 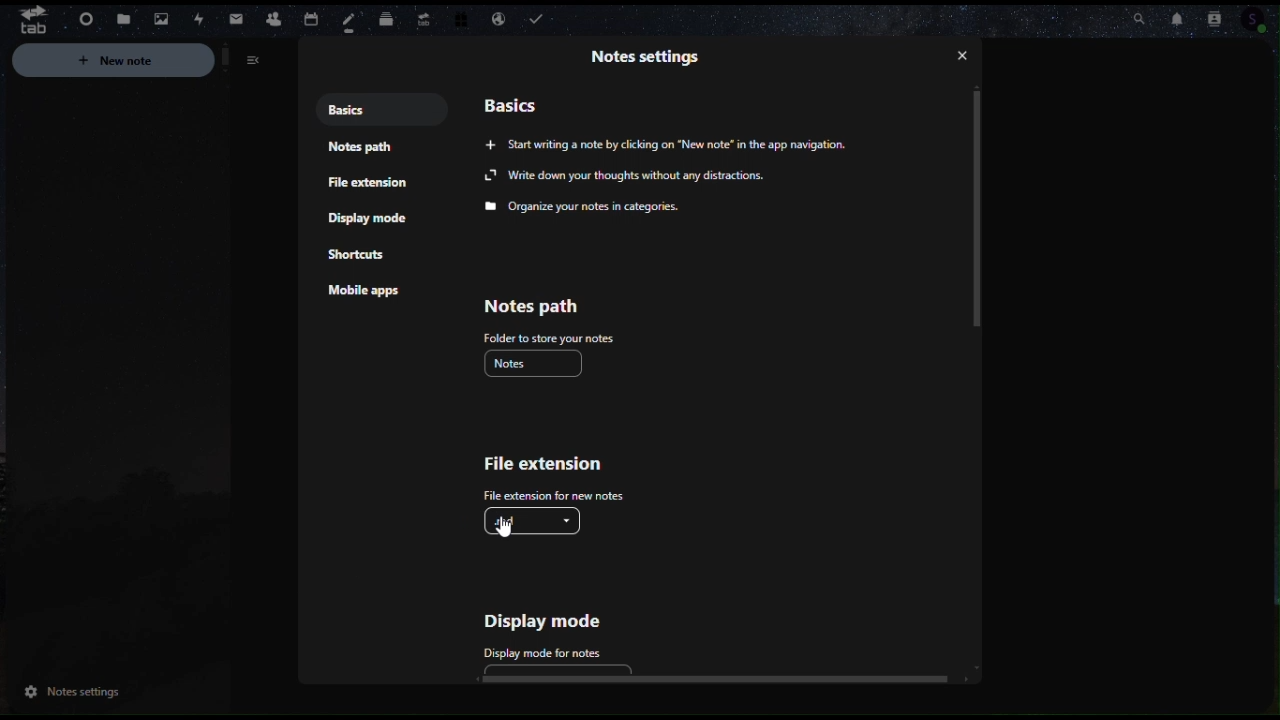 What do you see at coordinates (539, 466) in the screenshot?
I see `File extension` at bounding box center [539, 466].